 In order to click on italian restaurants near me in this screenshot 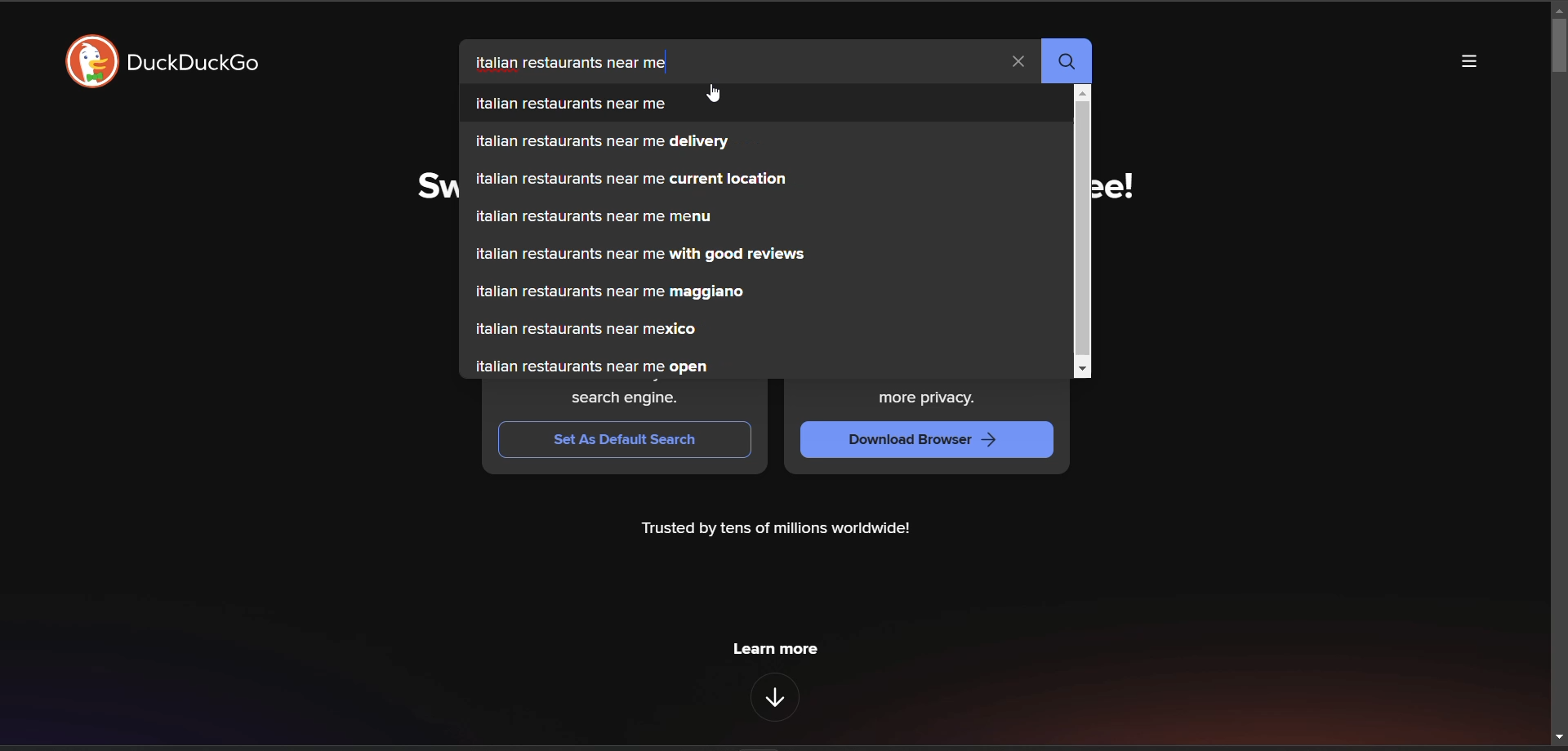, I will do `click(765, 103)`.